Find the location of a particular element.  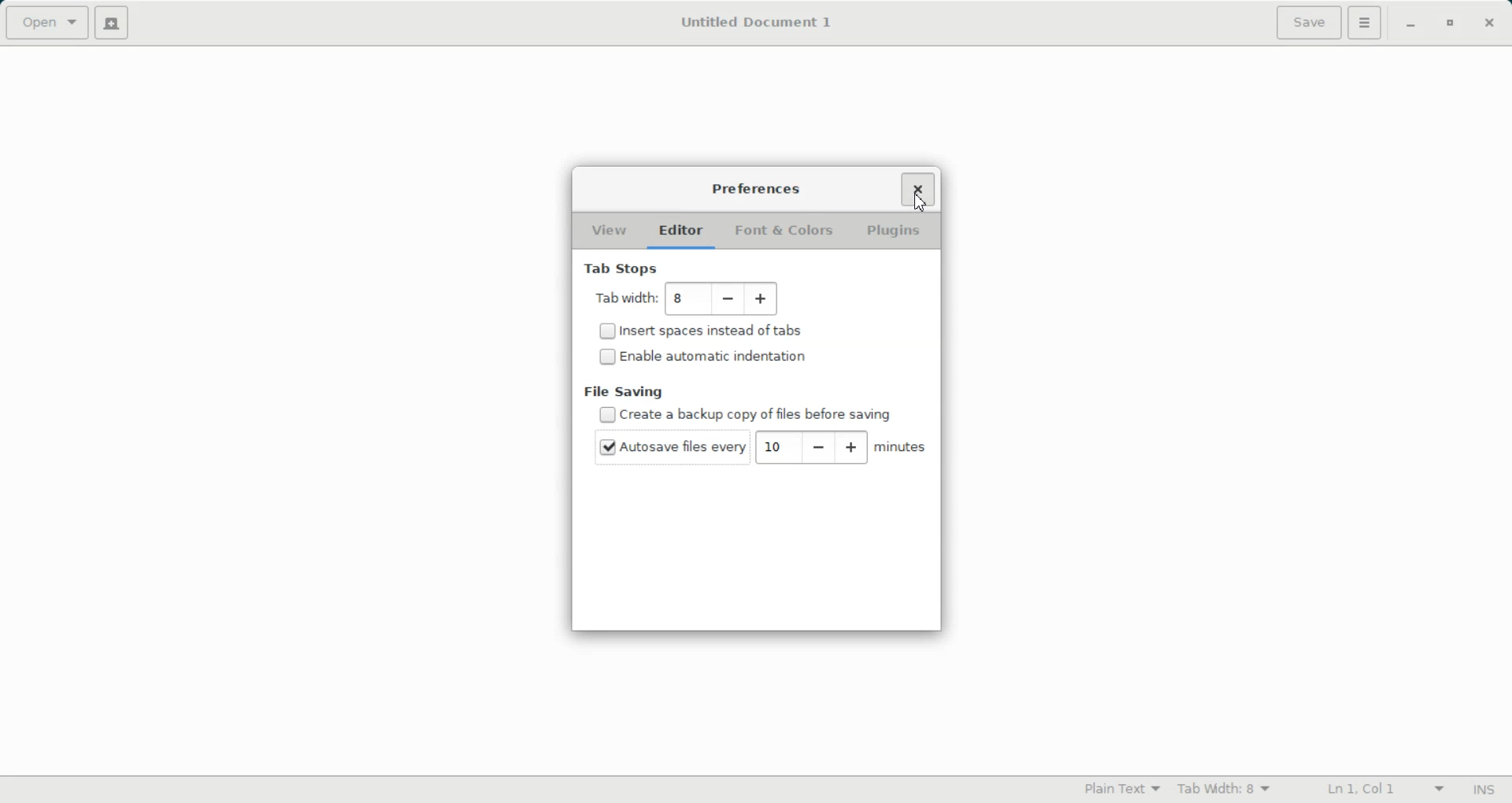

File Saving is located at coordinates (626, 390).